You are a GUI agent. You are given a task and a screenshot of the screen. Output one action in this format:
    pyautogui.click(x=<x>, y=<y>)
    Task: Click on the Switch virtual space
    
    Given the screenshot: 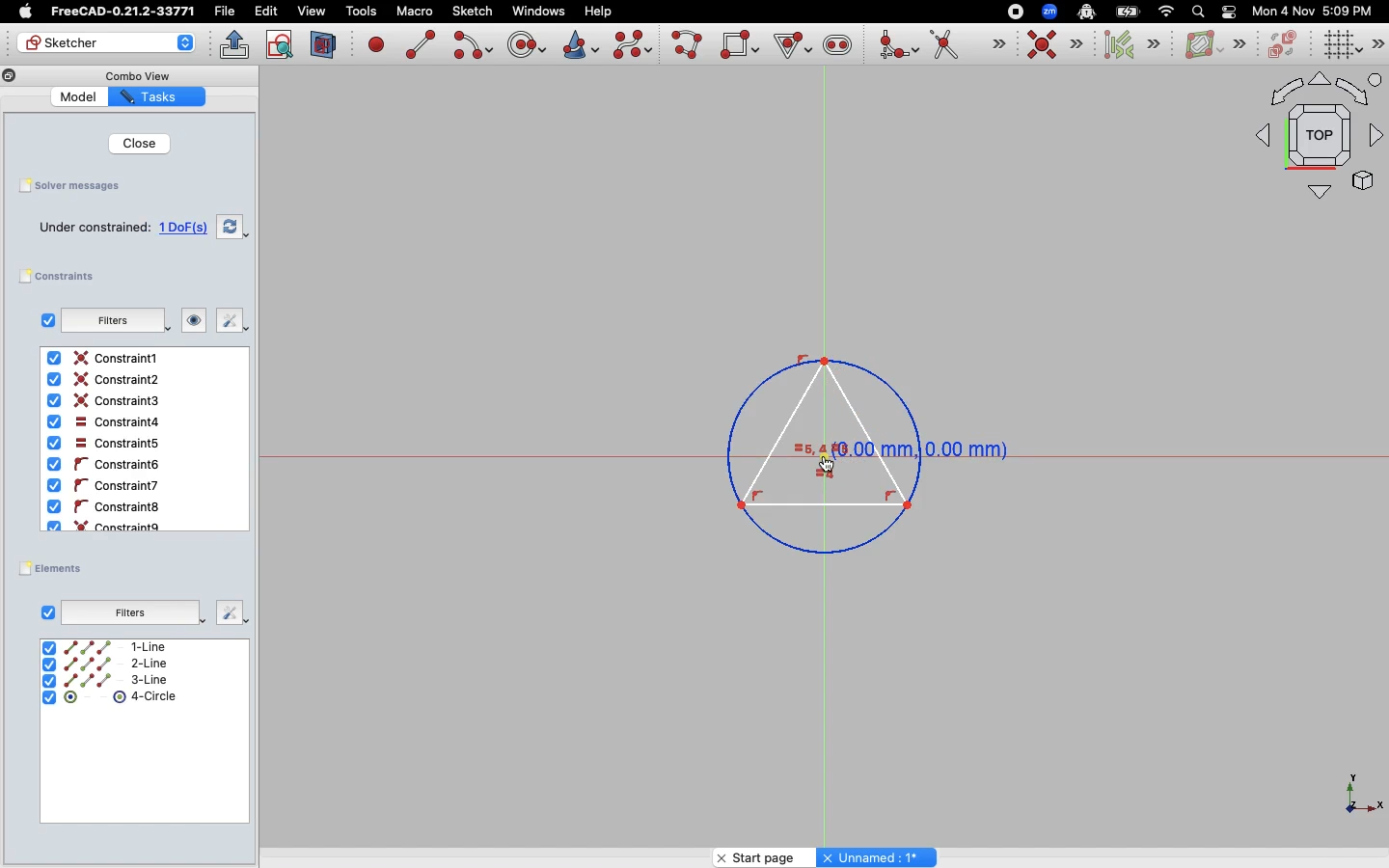 What is the action you would take?
    pyautogui.click(x=1285, y=45)
    